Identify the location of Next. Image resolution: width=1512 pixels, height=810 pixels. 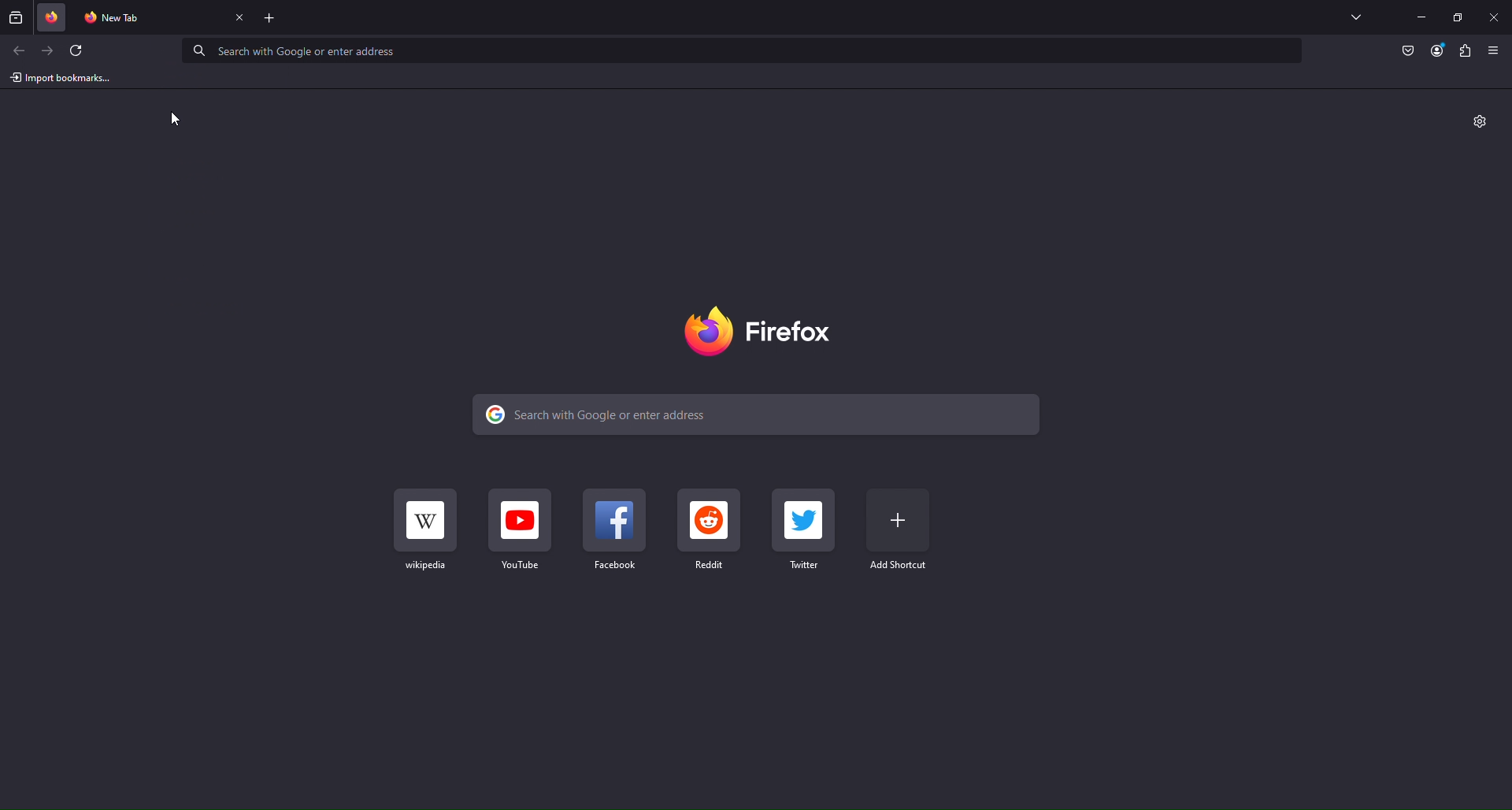
(50, 51).